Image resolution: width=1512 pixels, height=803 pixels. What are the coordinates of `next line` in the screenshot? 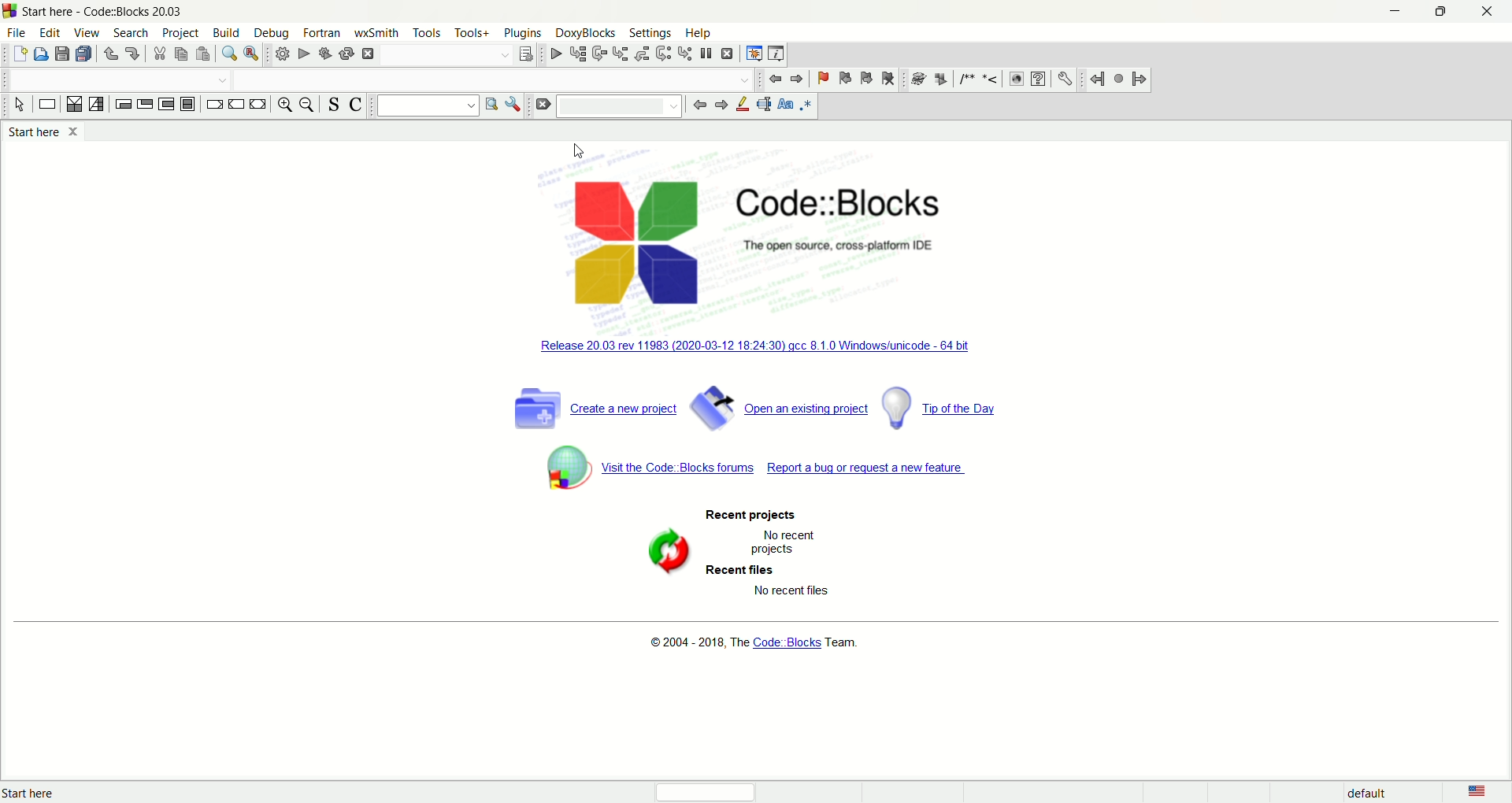 It's located at (598, 54).